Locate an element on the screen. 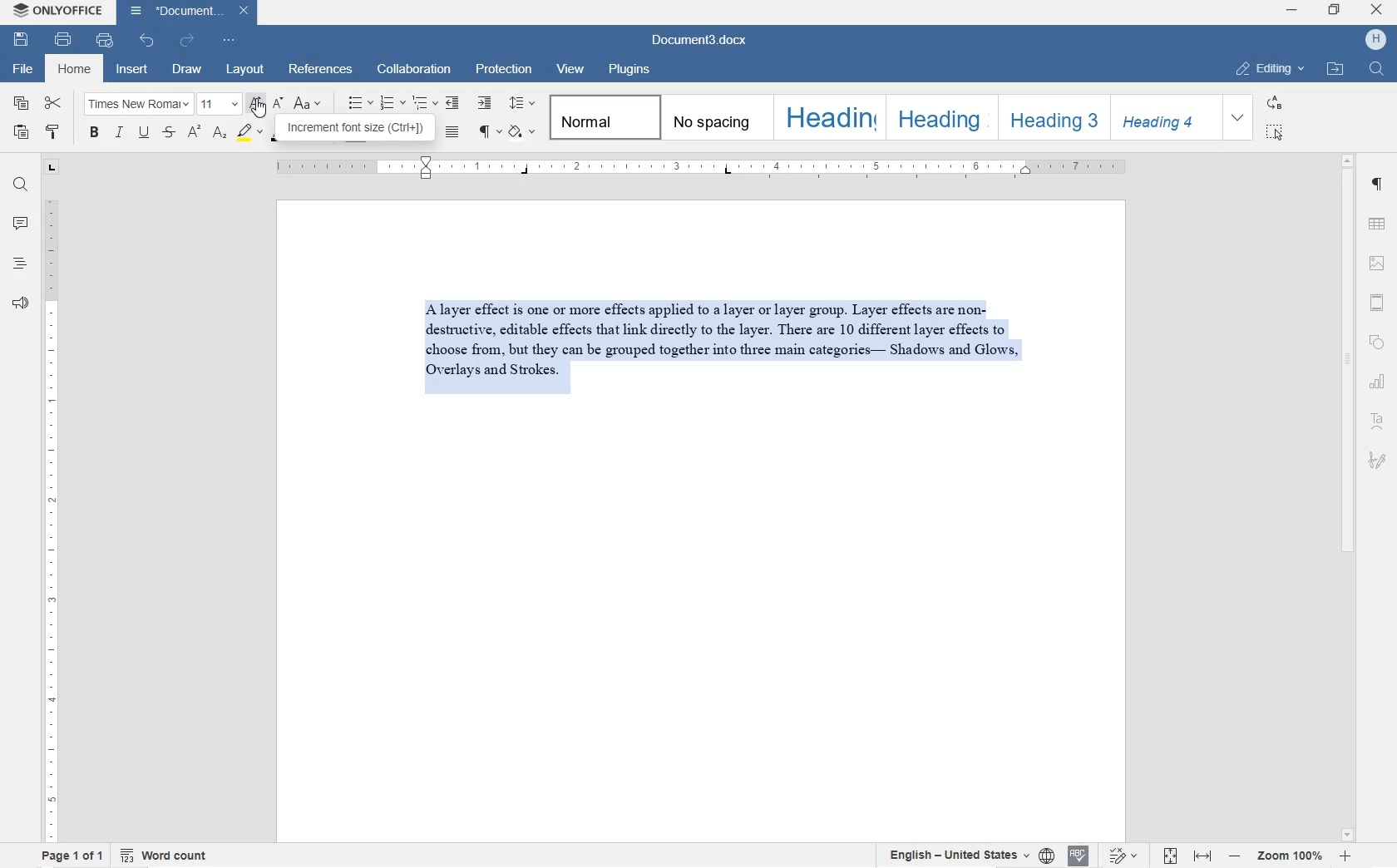  NO SPACING is located at coordinates (713, 118).